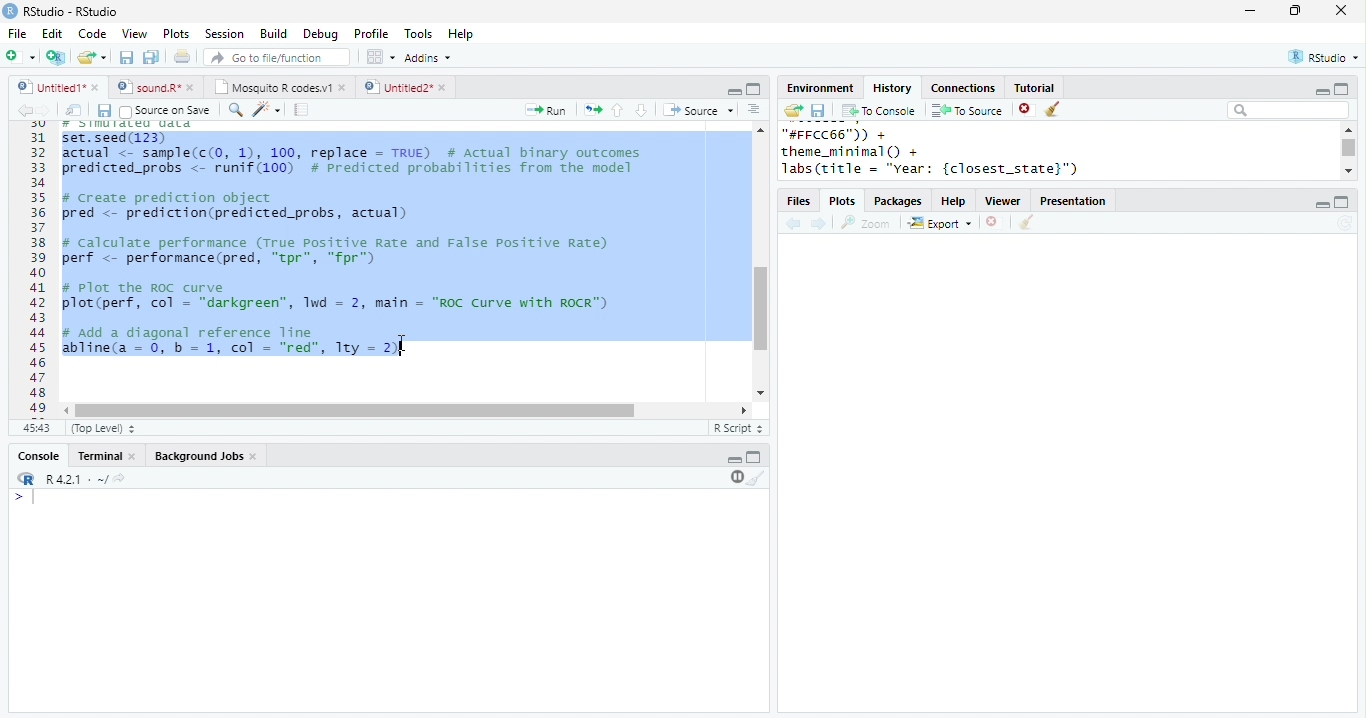 Image resolution: width=1366 pixels, height=718 pixels. What do you see at coordinates (273, 34) in the screenshot?
I see `Build` at bounding box center [273, 34].